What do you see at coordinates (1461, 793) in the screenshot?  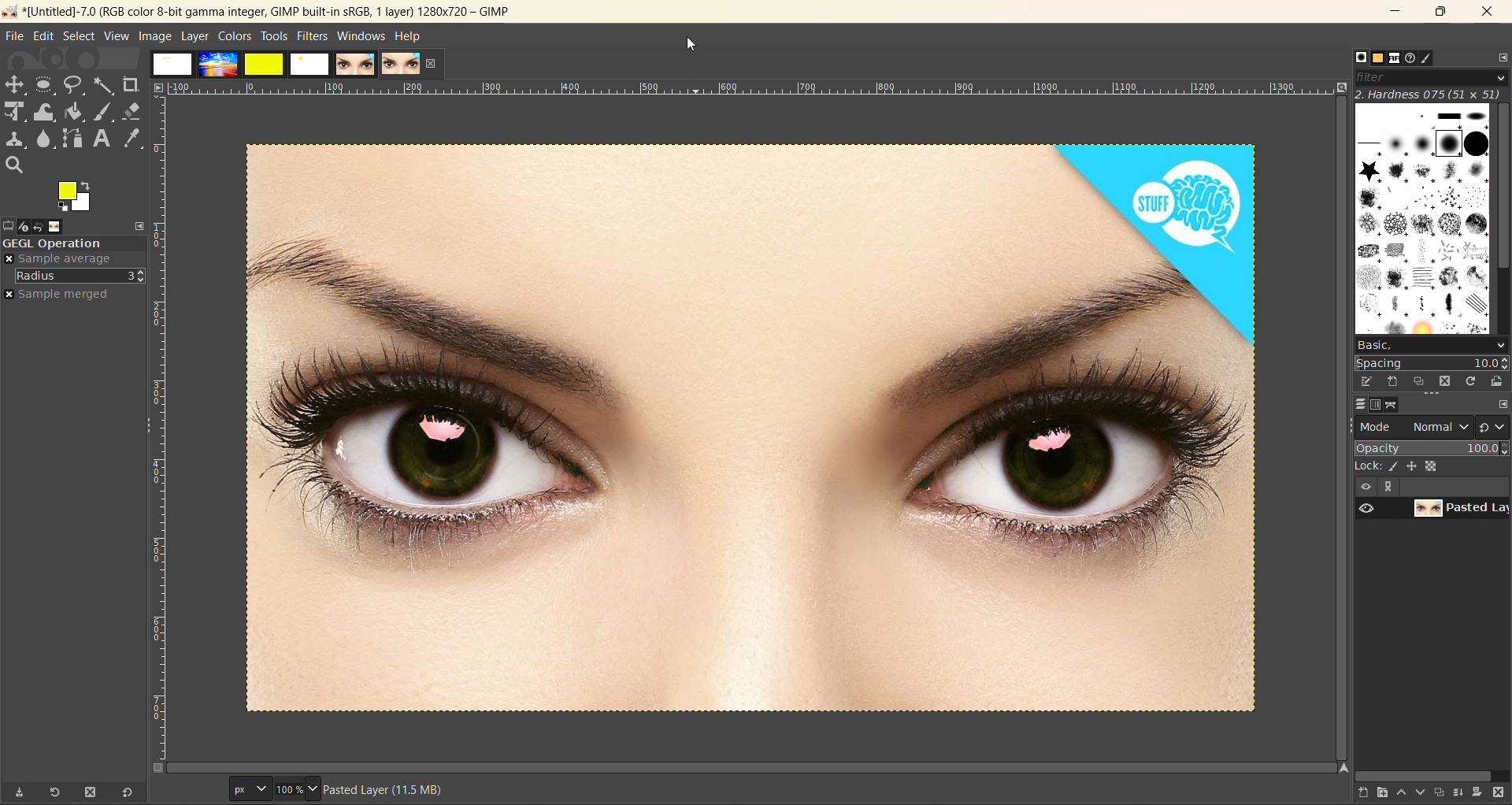 I see `merge this layer` at bounding box center [1461, 793].